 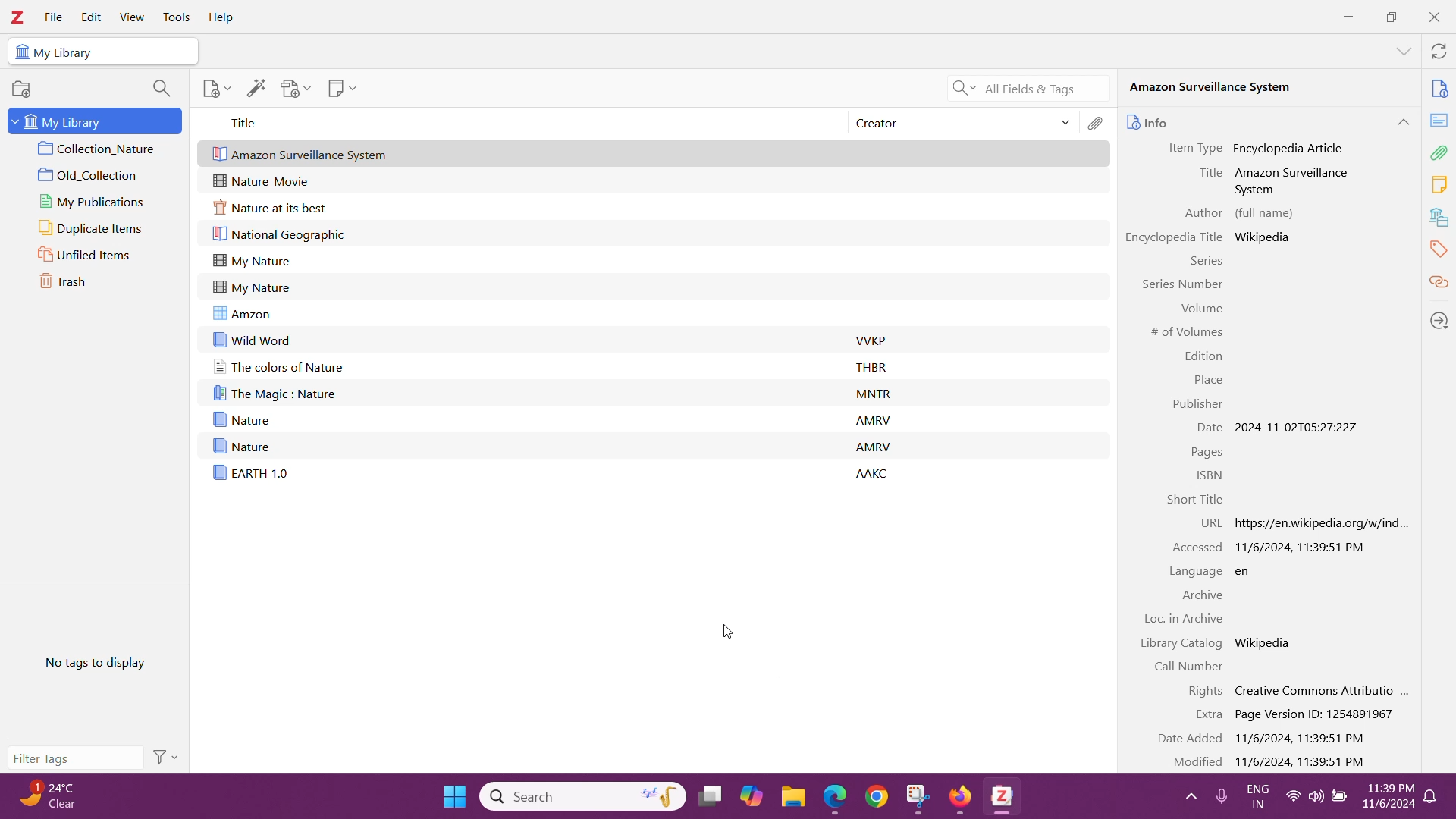 I want to click on Webpage modified date and time, so click(x=1302, y=761).